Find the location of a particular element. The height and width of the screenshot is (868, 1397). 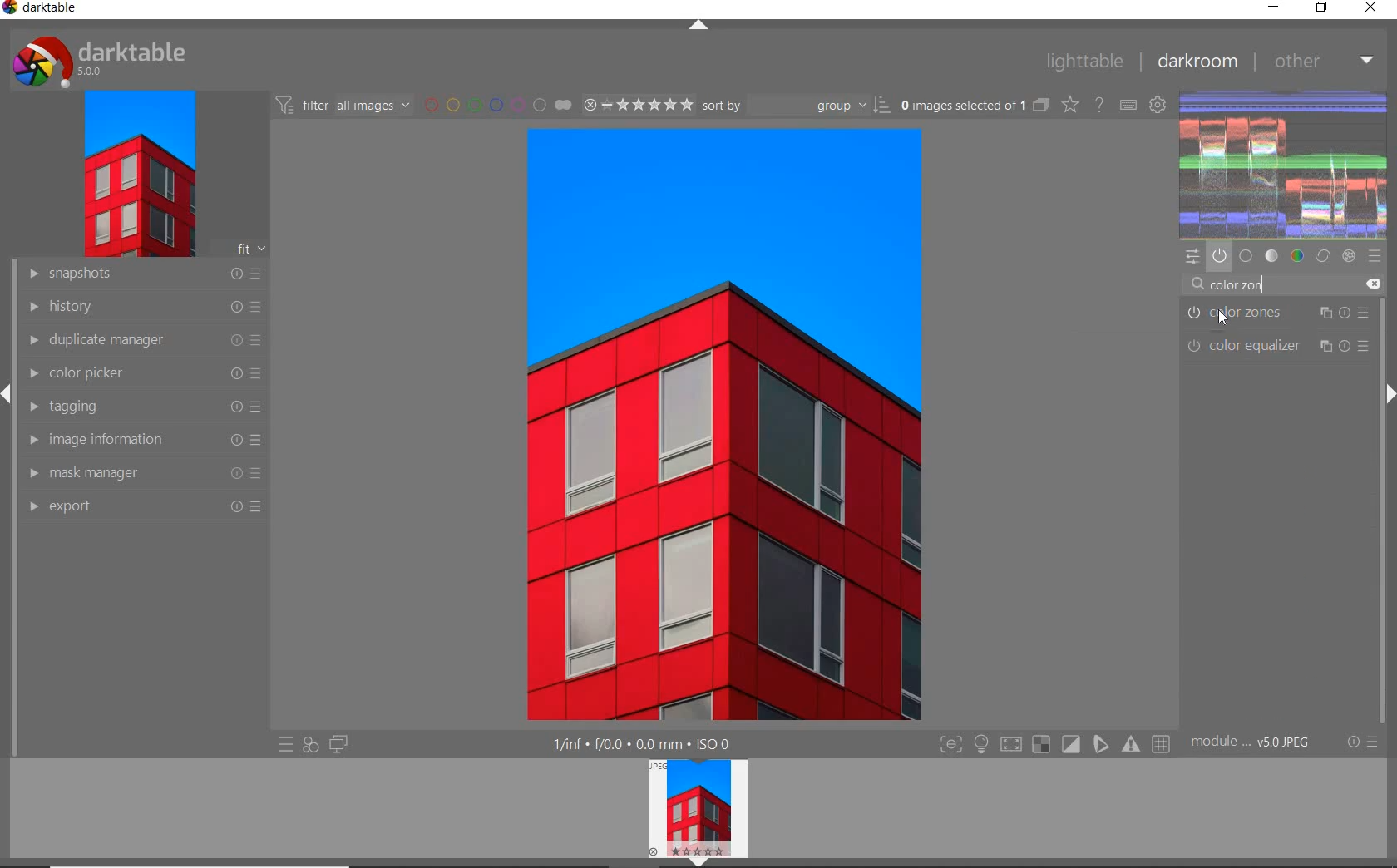

highlight is located at coordinates (983, 747).